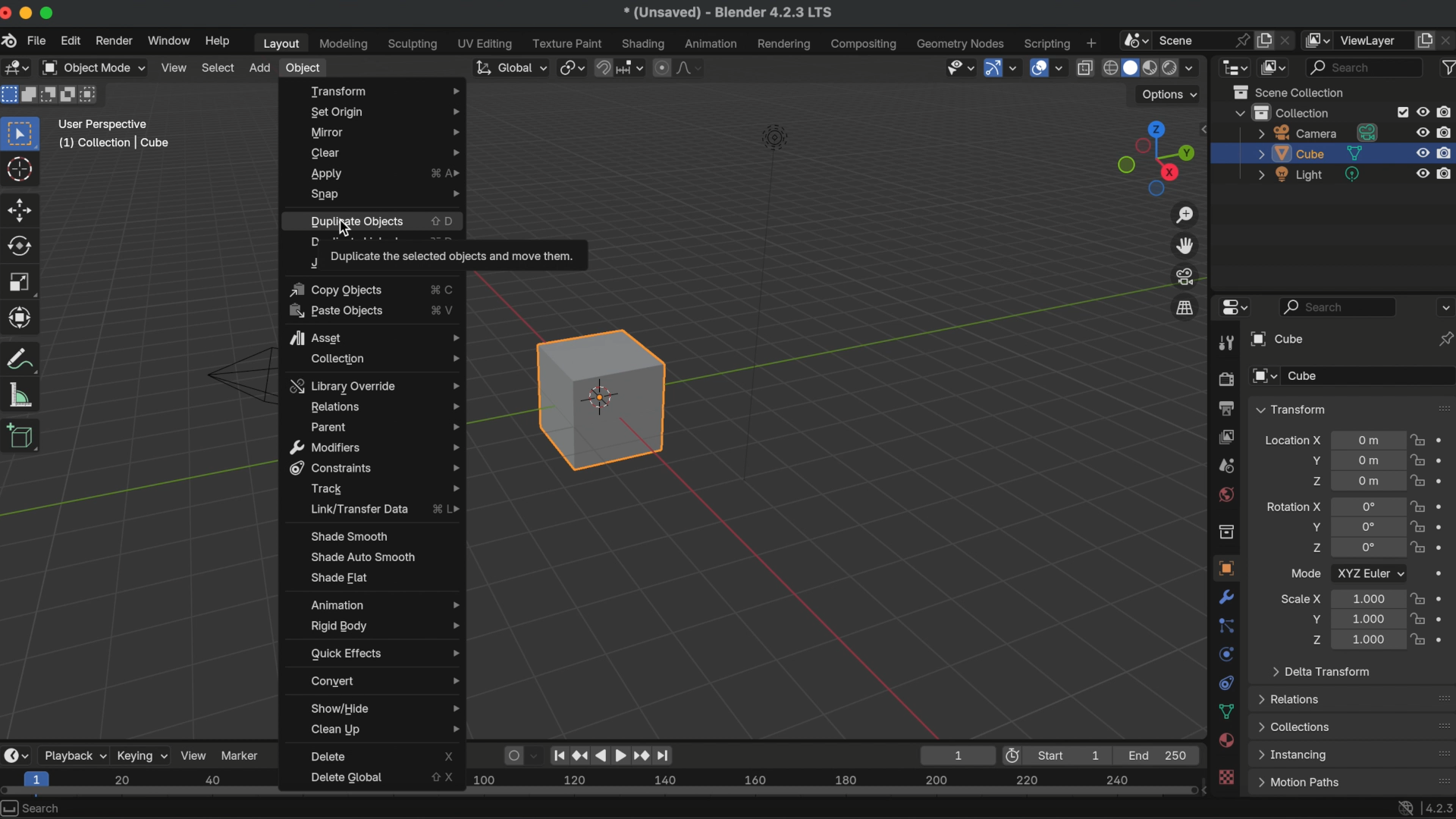  Describe the element at coordinates (955, 755) in the screenshot. I see `1` at that location.